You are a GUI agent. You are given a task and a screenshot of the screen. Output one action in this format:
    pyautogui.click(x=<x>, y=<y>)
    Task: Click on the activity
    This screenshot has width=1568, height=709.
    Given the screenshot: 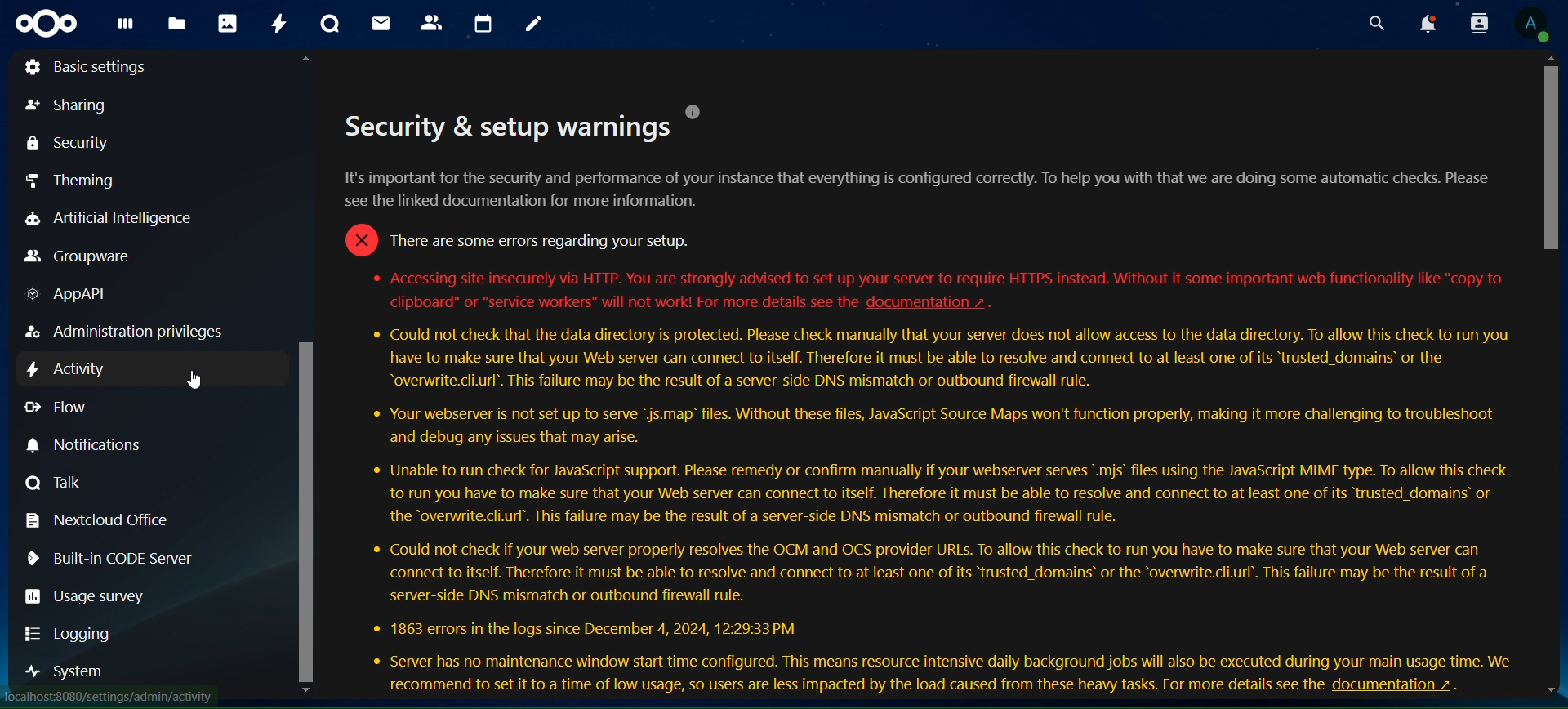 What is the action you would take?
    pyautogui.click(x=276, y=24)
    